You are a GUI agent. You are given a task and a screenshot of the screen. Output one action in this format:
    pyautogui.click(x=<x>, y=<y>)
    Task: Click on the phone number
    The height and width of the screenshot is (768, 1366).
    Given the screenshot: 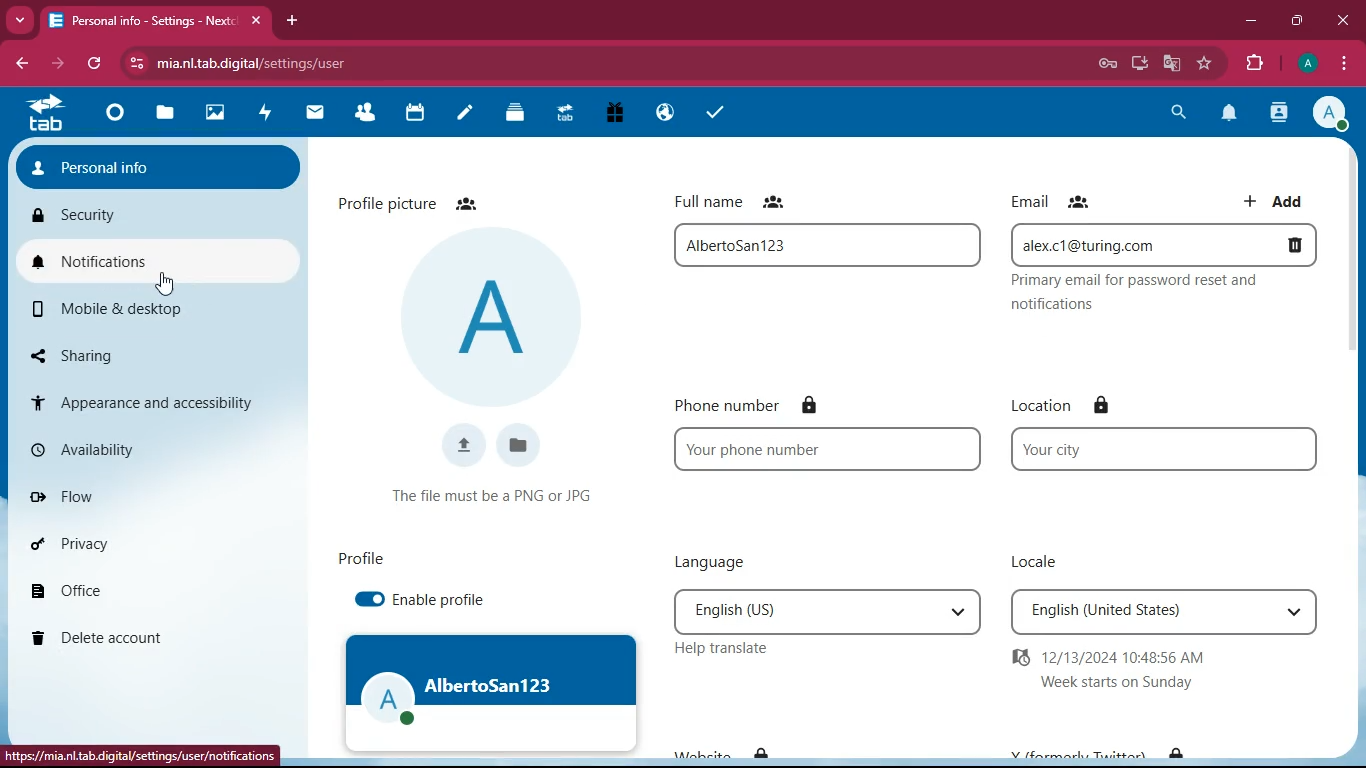 What is the action you would take?
    pyautogui.click(x=722, y=404)
    